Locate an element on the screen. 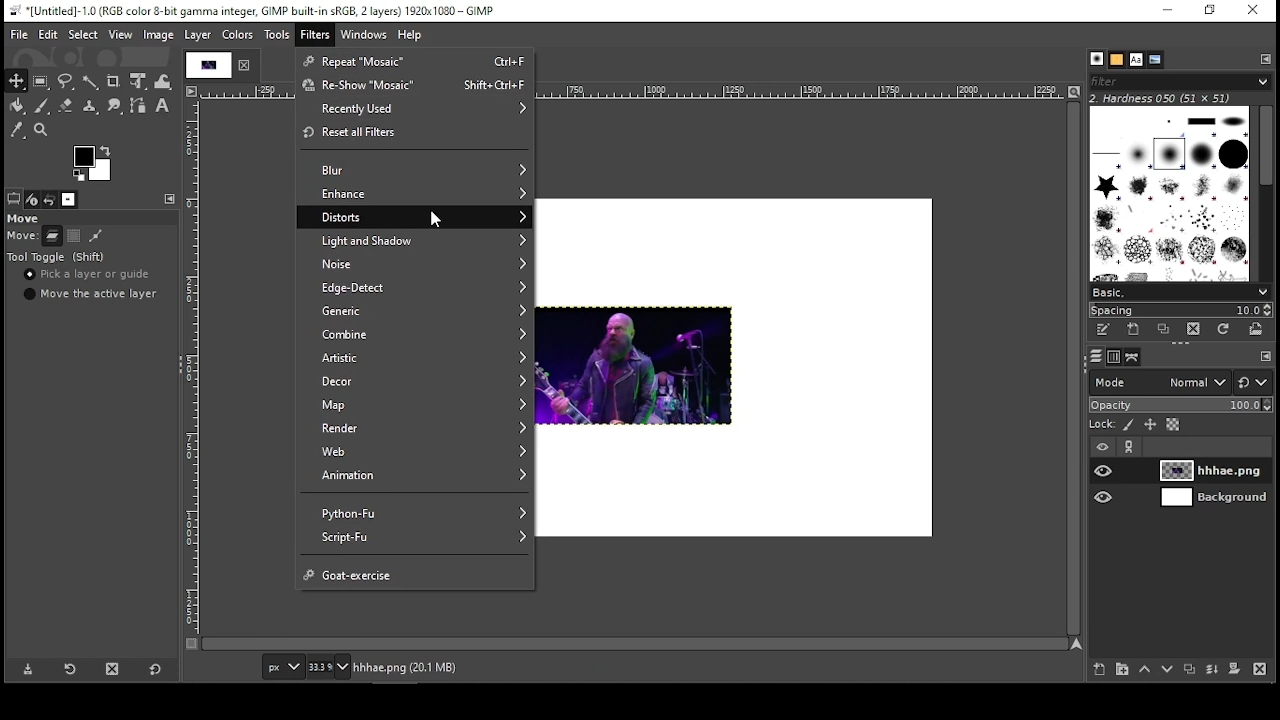 The width and height of the screenshot is (1280, 720). move layers is located at coordinates (51, 236).